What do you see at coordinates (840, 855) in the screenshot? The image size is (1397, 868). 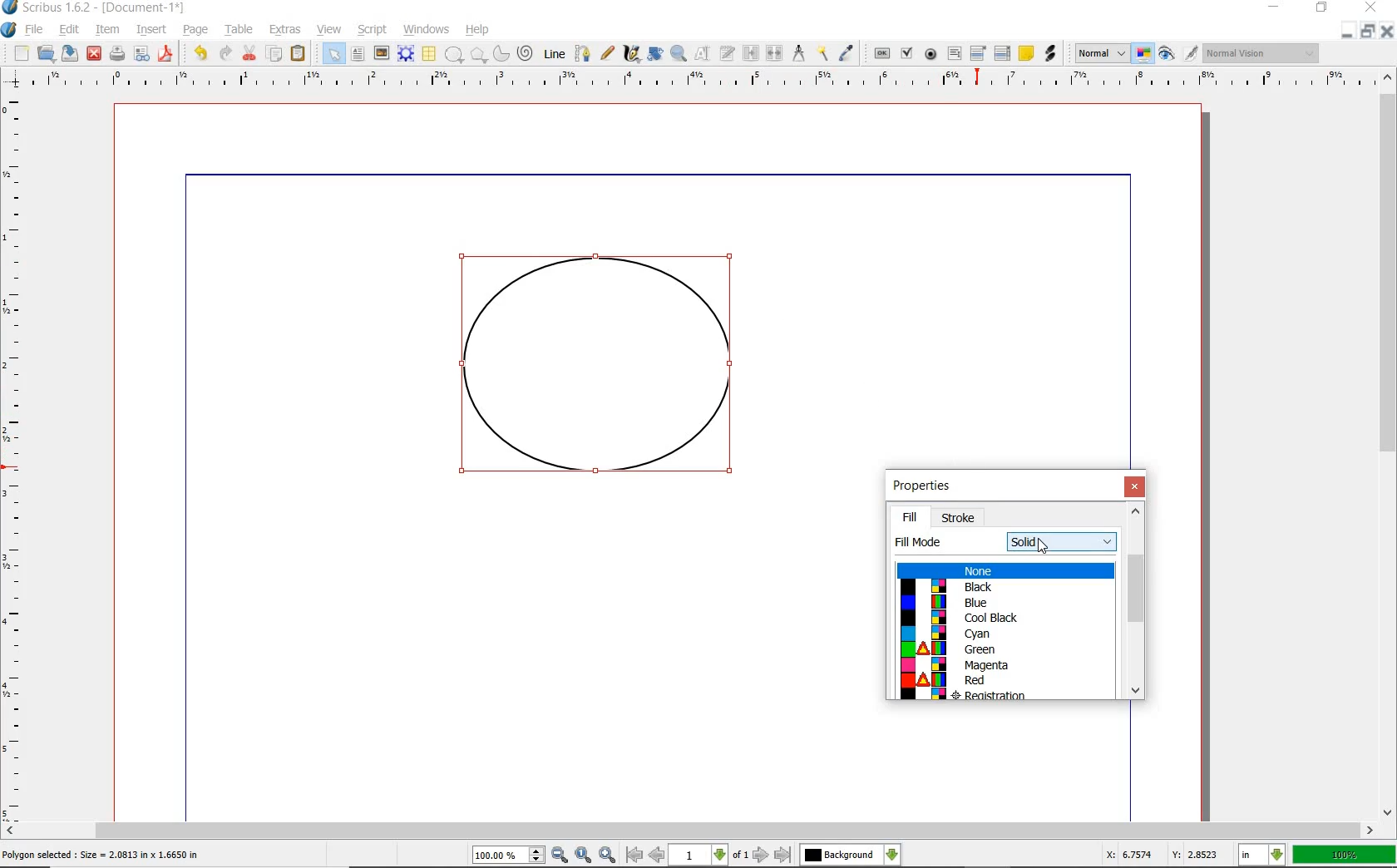 I see `` at bounding box center [840, 855].